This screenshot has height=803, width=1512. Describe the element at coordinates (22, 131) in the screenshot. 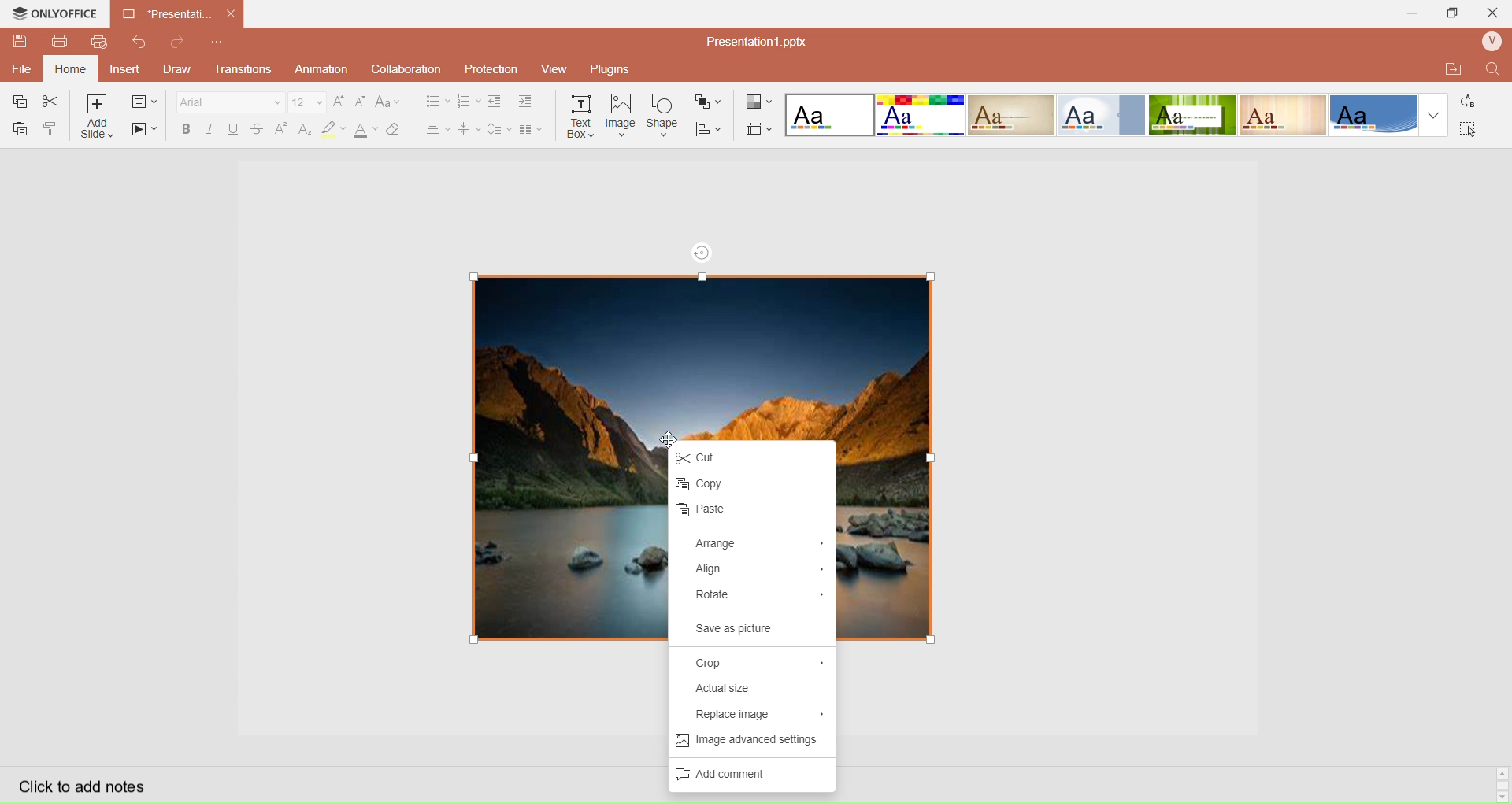

I see `Paste` at that location.